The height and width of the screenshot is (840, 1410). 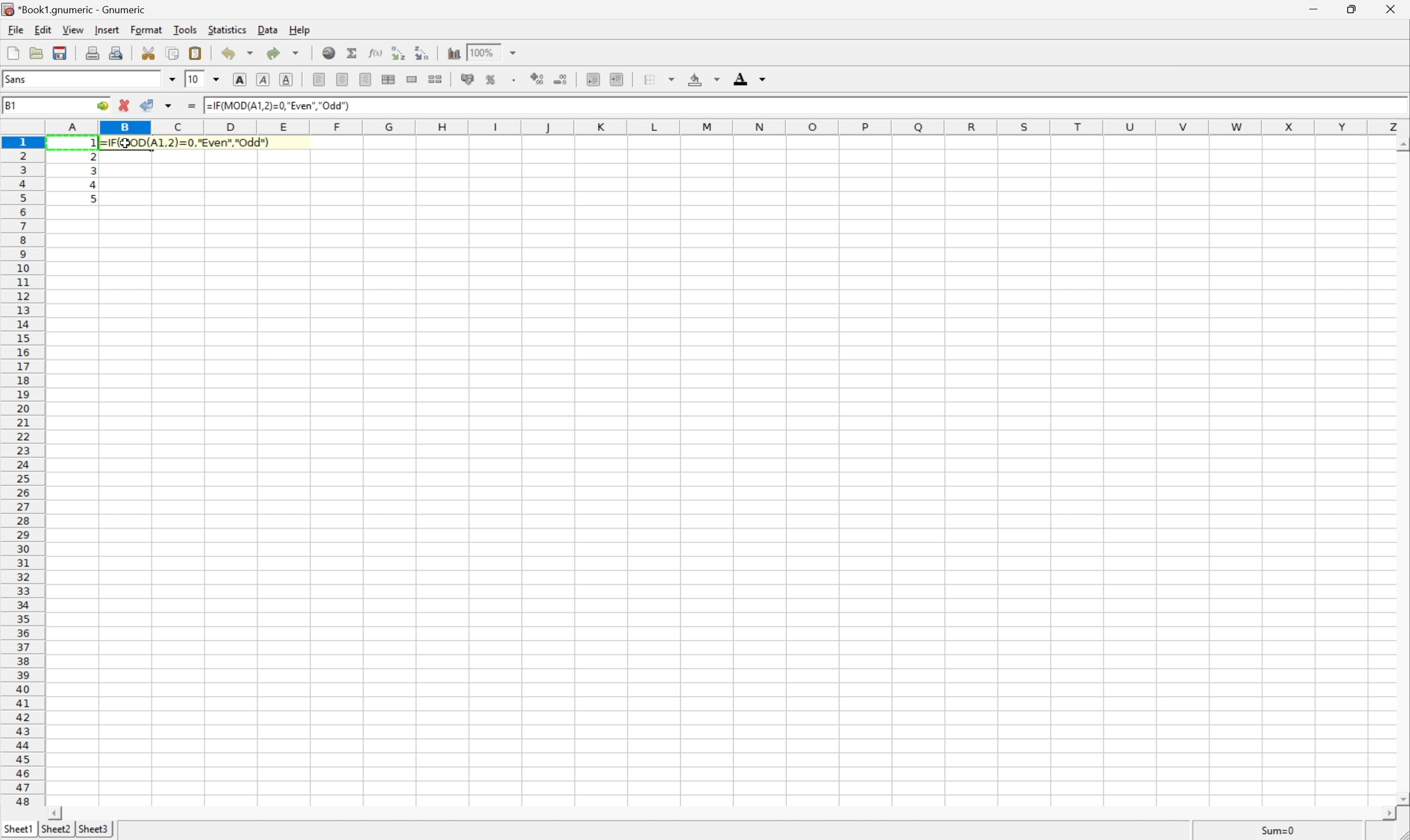 I want to click on , so click(x=1402, y=147).